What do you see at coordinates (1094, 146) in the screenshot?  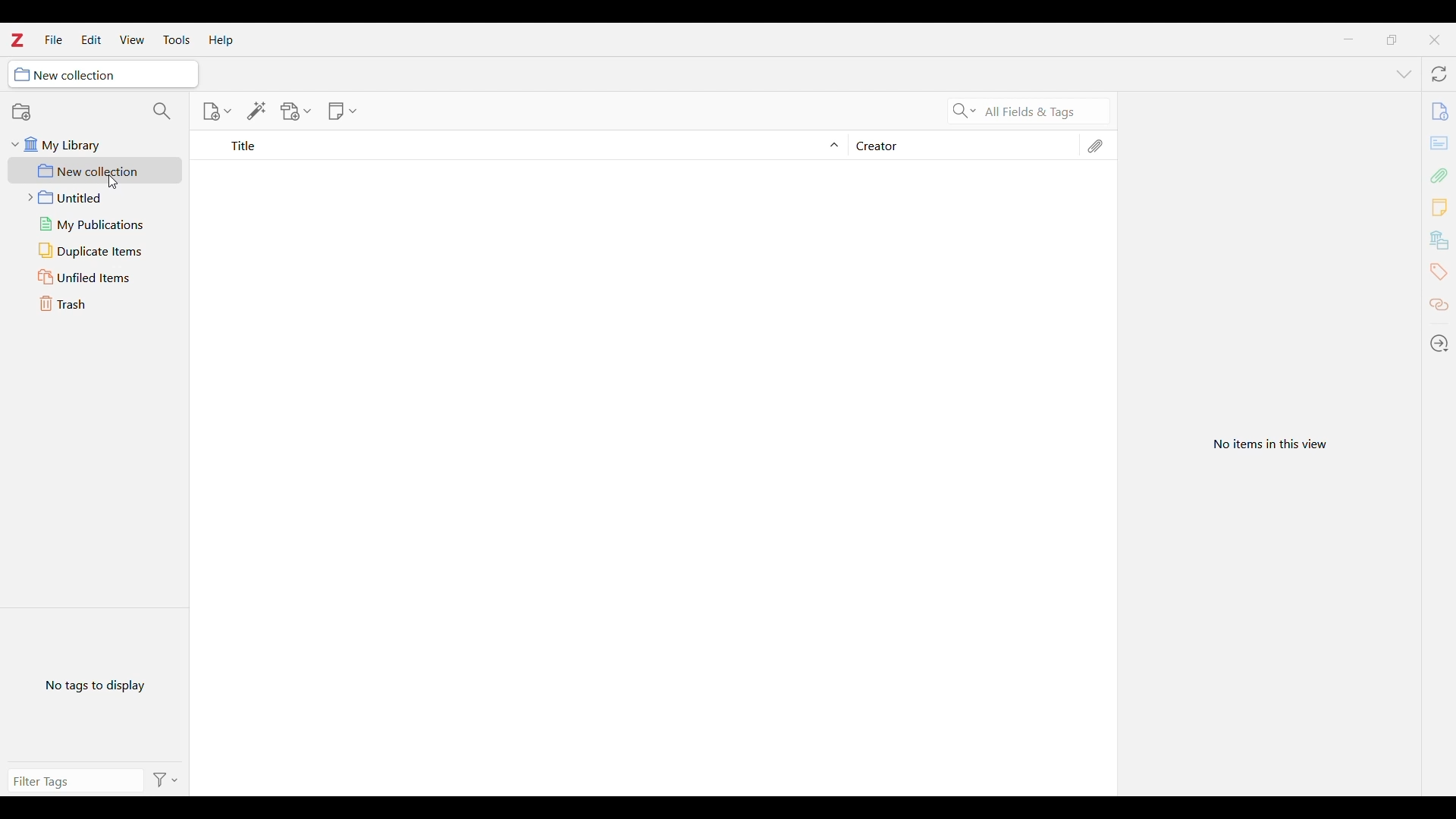 I see `Attachments ` at bounding box center [1094, 146].